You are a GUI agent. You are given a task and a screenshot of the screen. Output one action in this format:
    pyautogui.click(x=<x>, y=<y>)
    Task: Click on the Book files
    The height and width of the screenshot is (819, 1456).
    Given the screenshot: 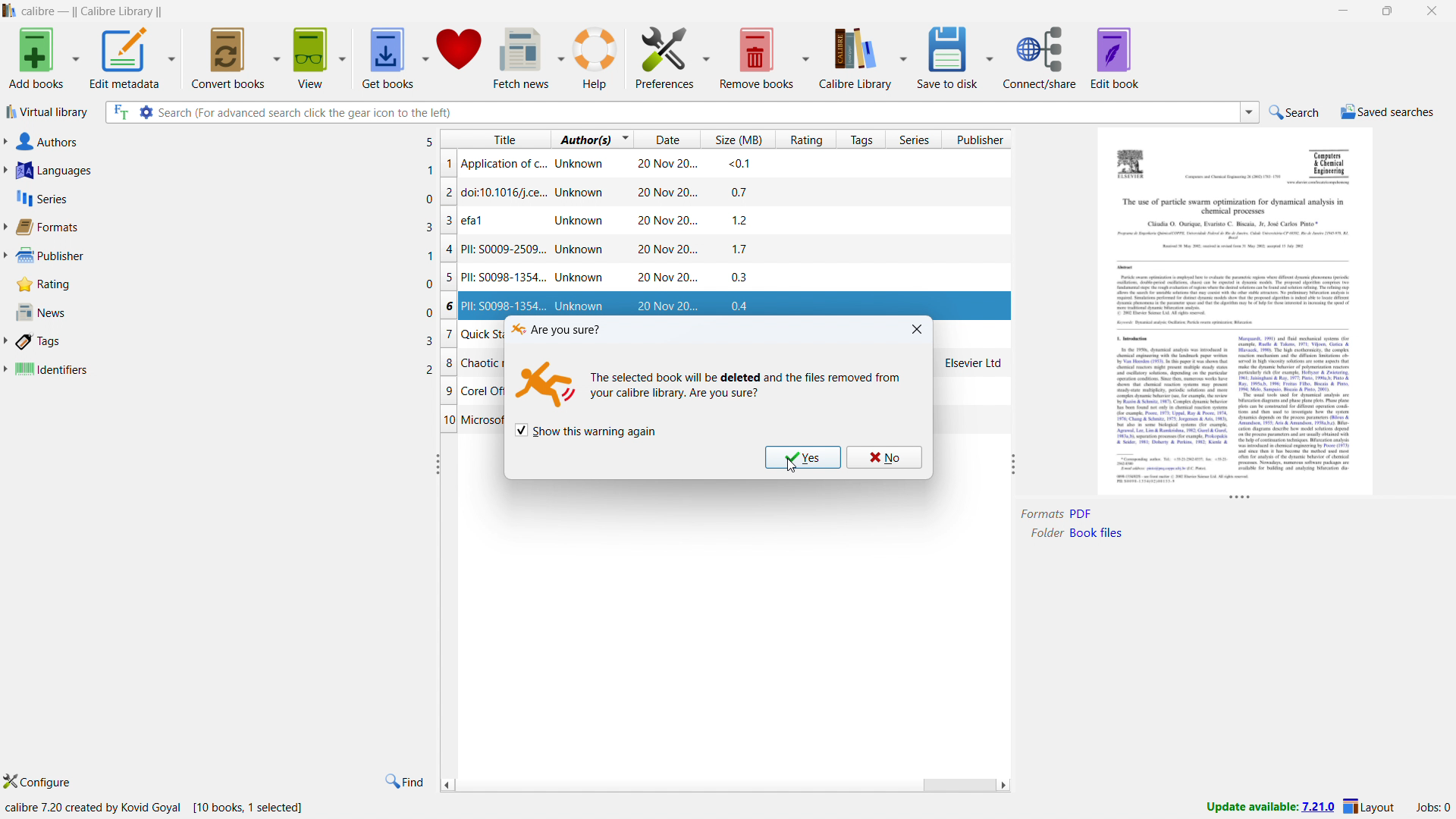 What is the action you would take?
    pyautogui.click(x=1097, y=533)
    